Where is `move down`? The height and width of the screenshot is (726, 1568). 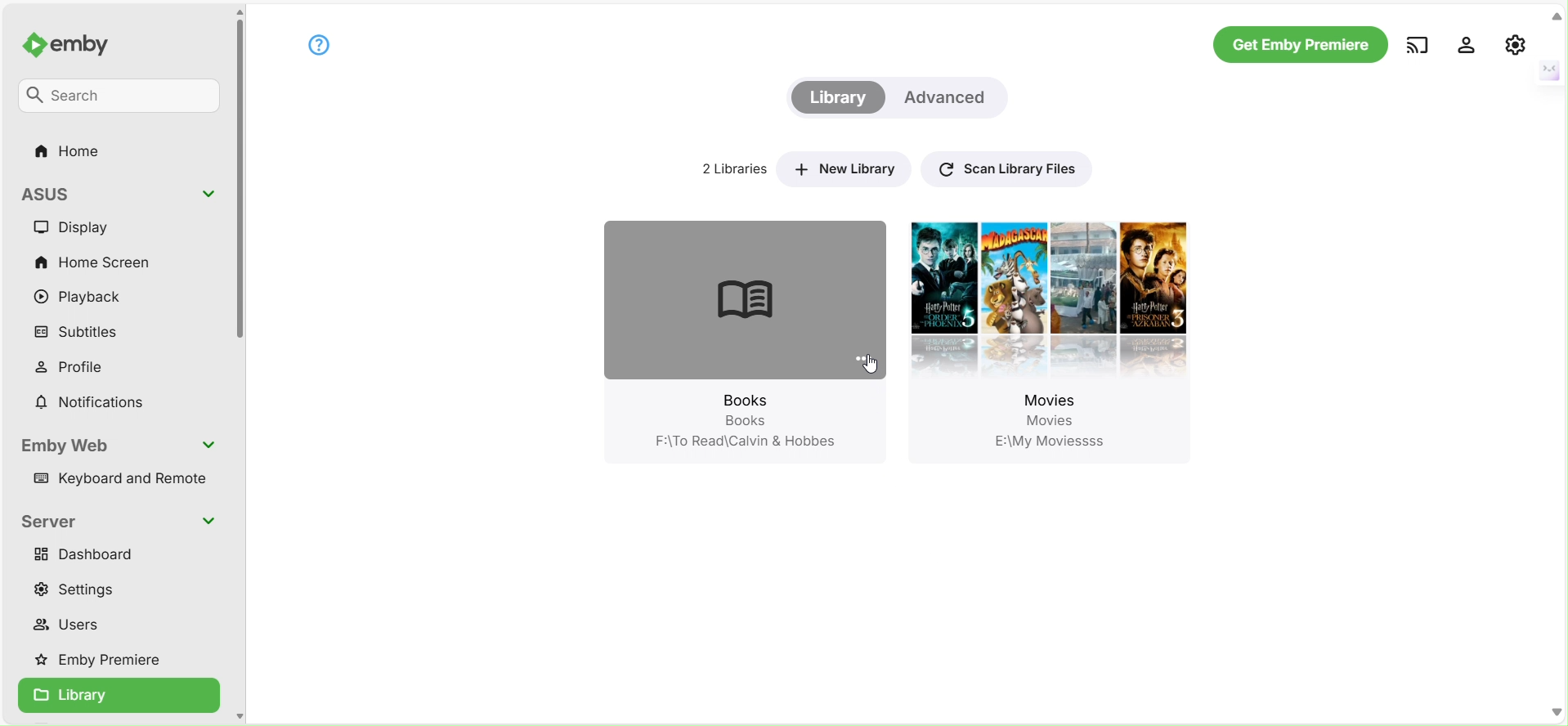 move down is located at coordinates (1557, 711).